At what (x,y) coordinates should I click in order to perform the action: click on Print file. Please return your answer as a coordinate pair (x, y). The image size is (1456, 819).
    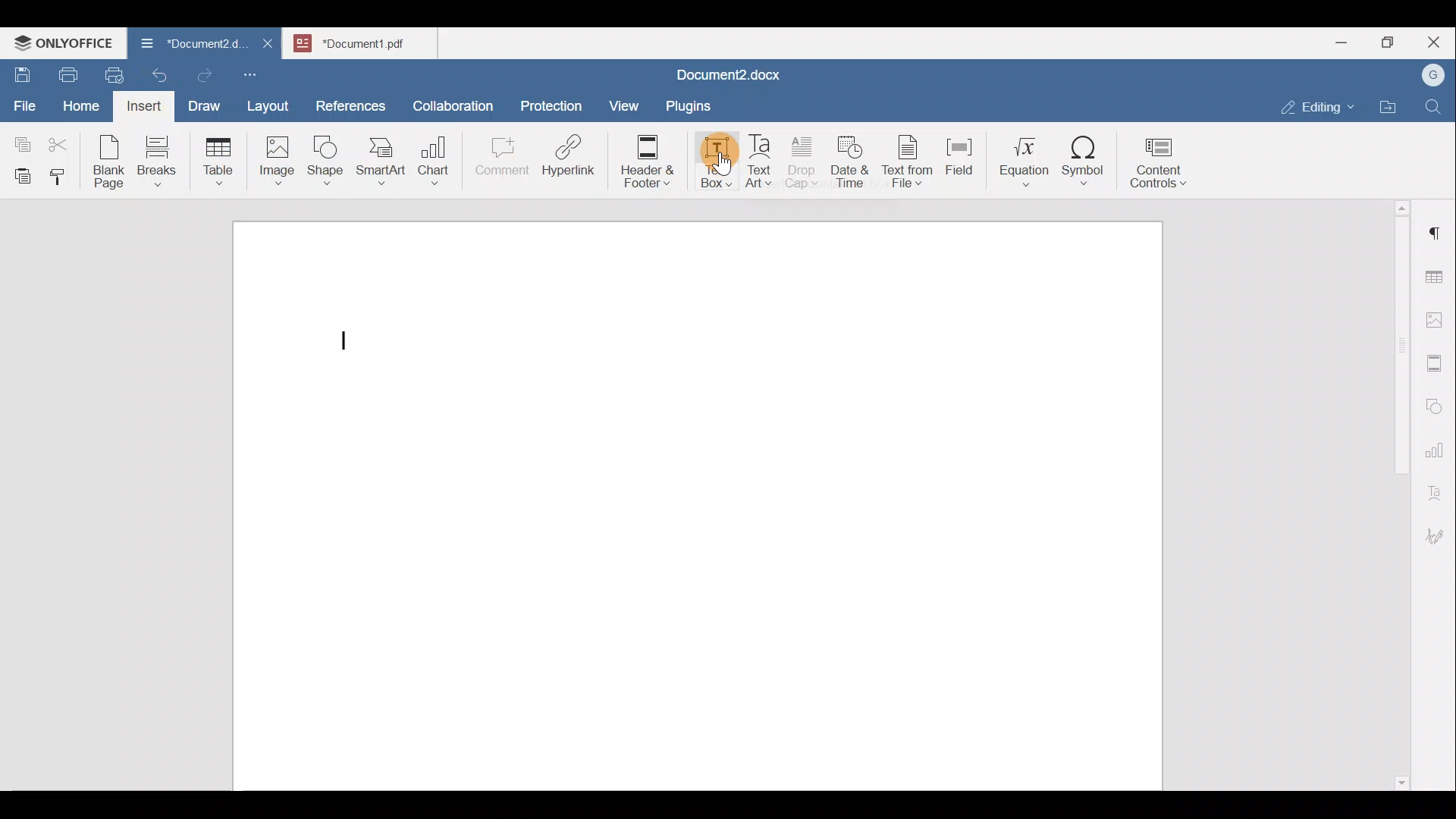
    Looking at the image, I should click on (65, 72).